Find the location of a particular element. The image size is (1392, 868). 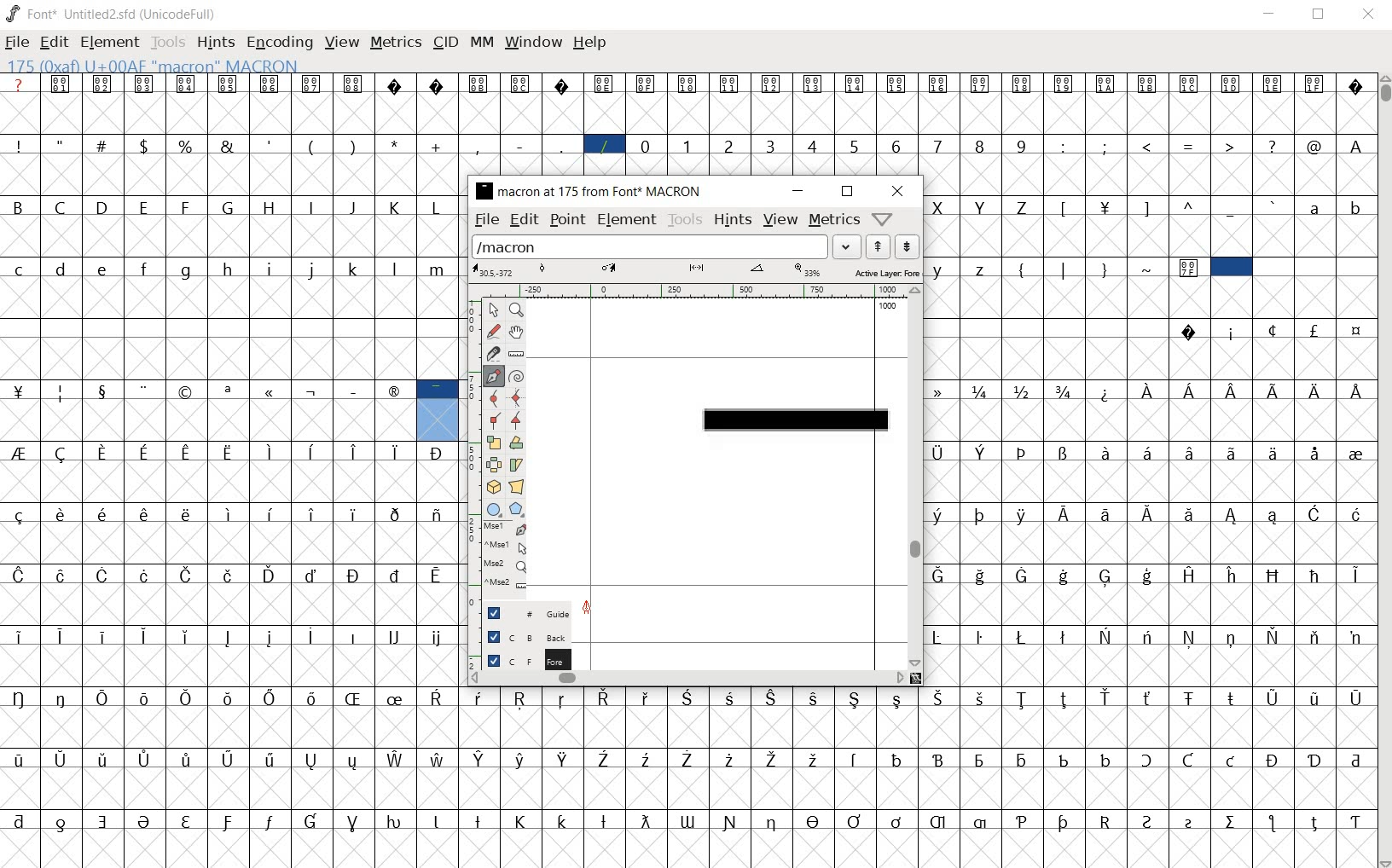

close is located at coordinates (895, 190).